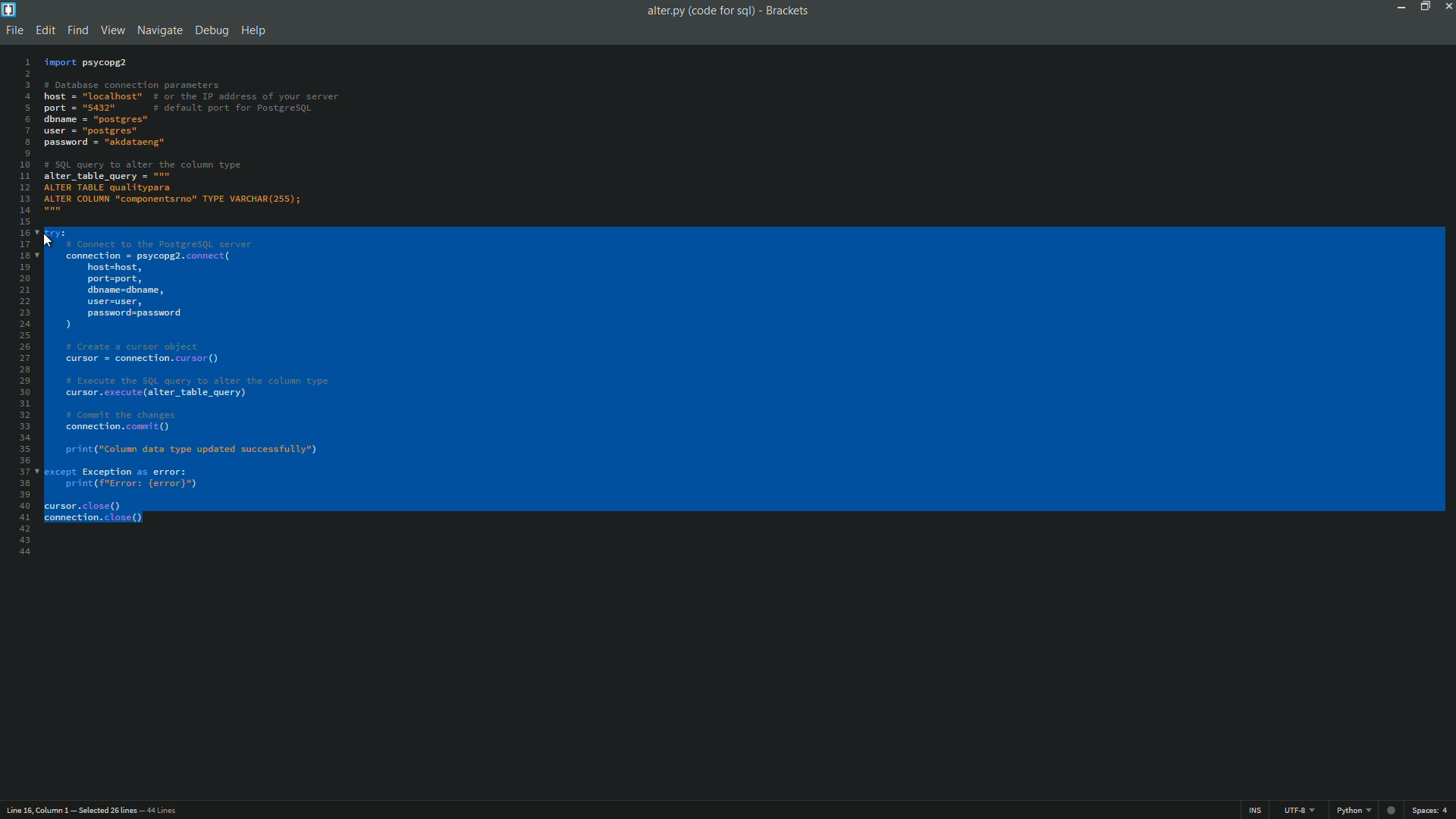 Image resolution: width=1456 pixels, height=819 pixels. What do you see at coordinates (1422, 6) in the screenshot?
I see `maximize` at bounding box center [1422, 6].